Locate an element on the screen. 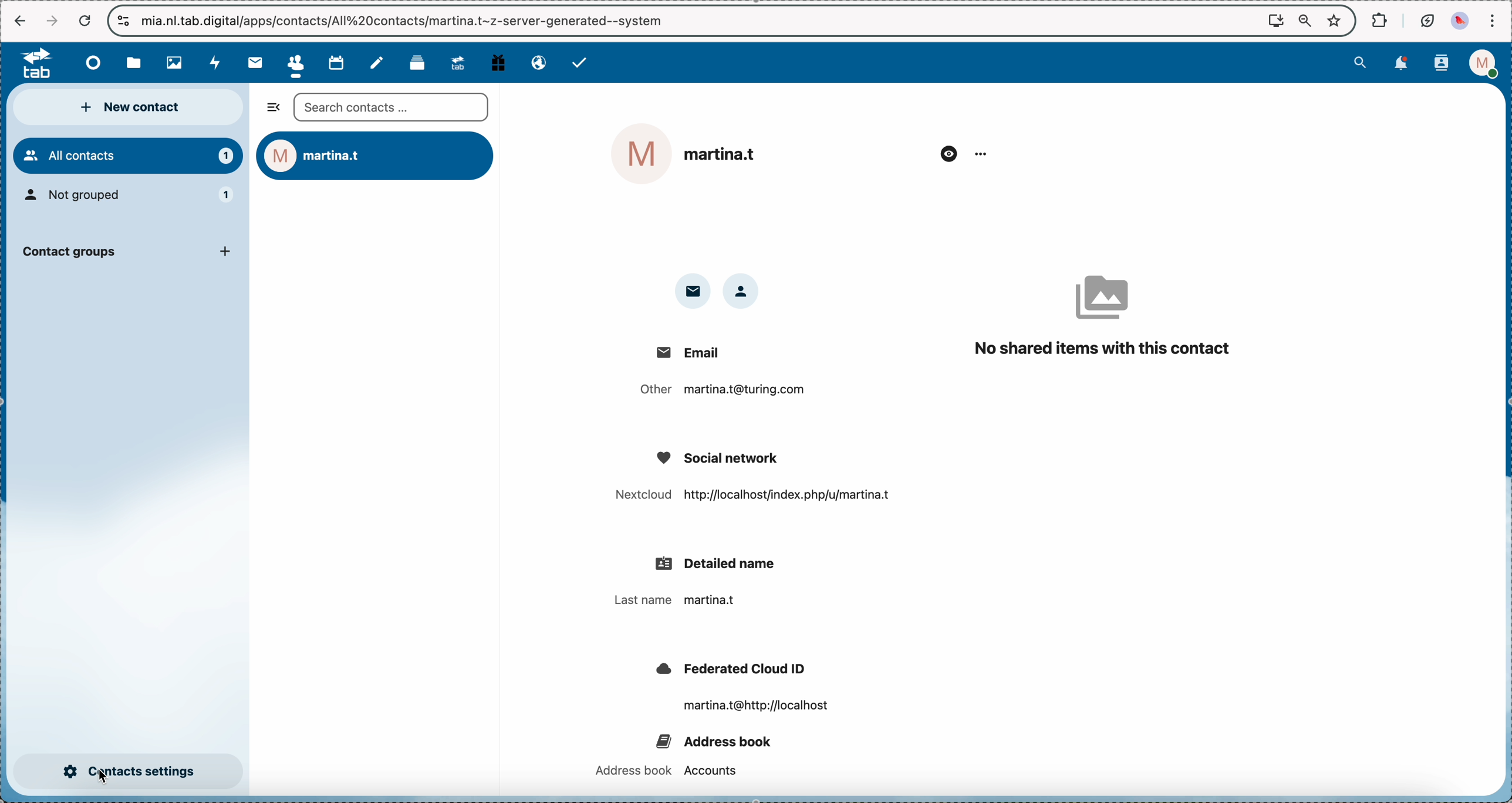  calendar is located at coordinates (335, 62).